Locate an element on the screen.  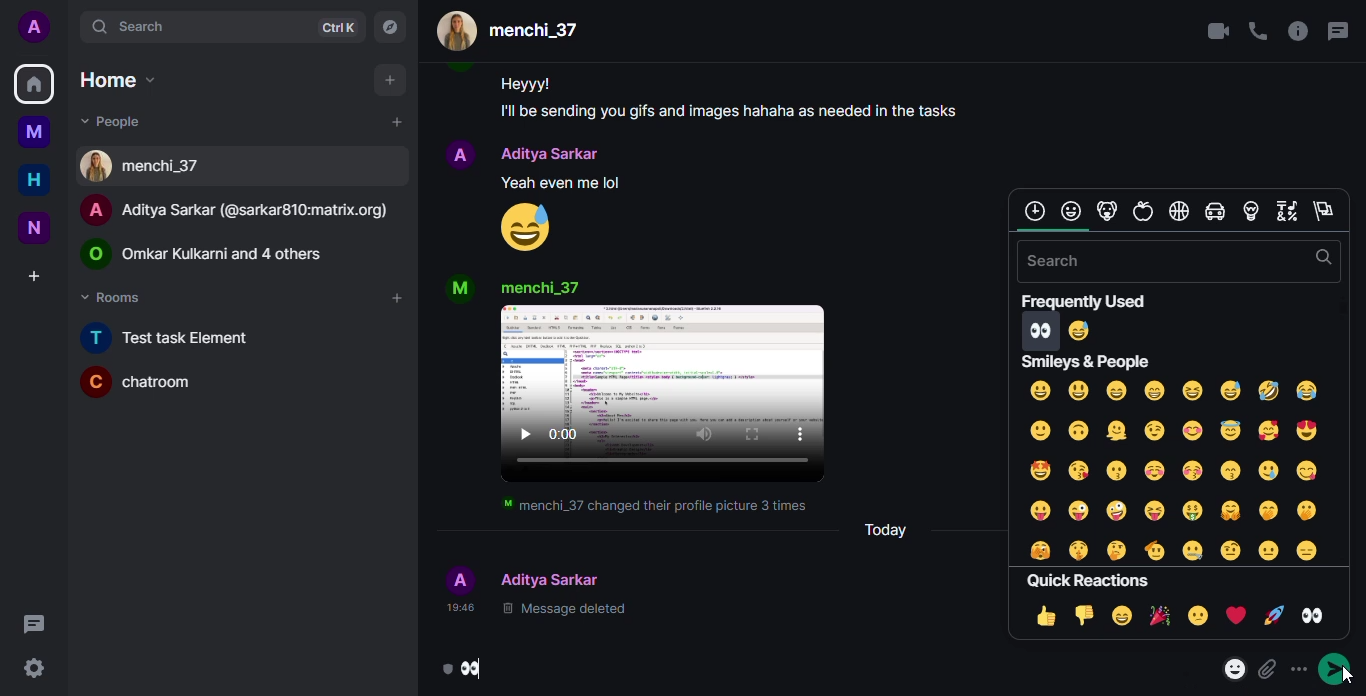
symbols is located at coordinates (1283, 211).